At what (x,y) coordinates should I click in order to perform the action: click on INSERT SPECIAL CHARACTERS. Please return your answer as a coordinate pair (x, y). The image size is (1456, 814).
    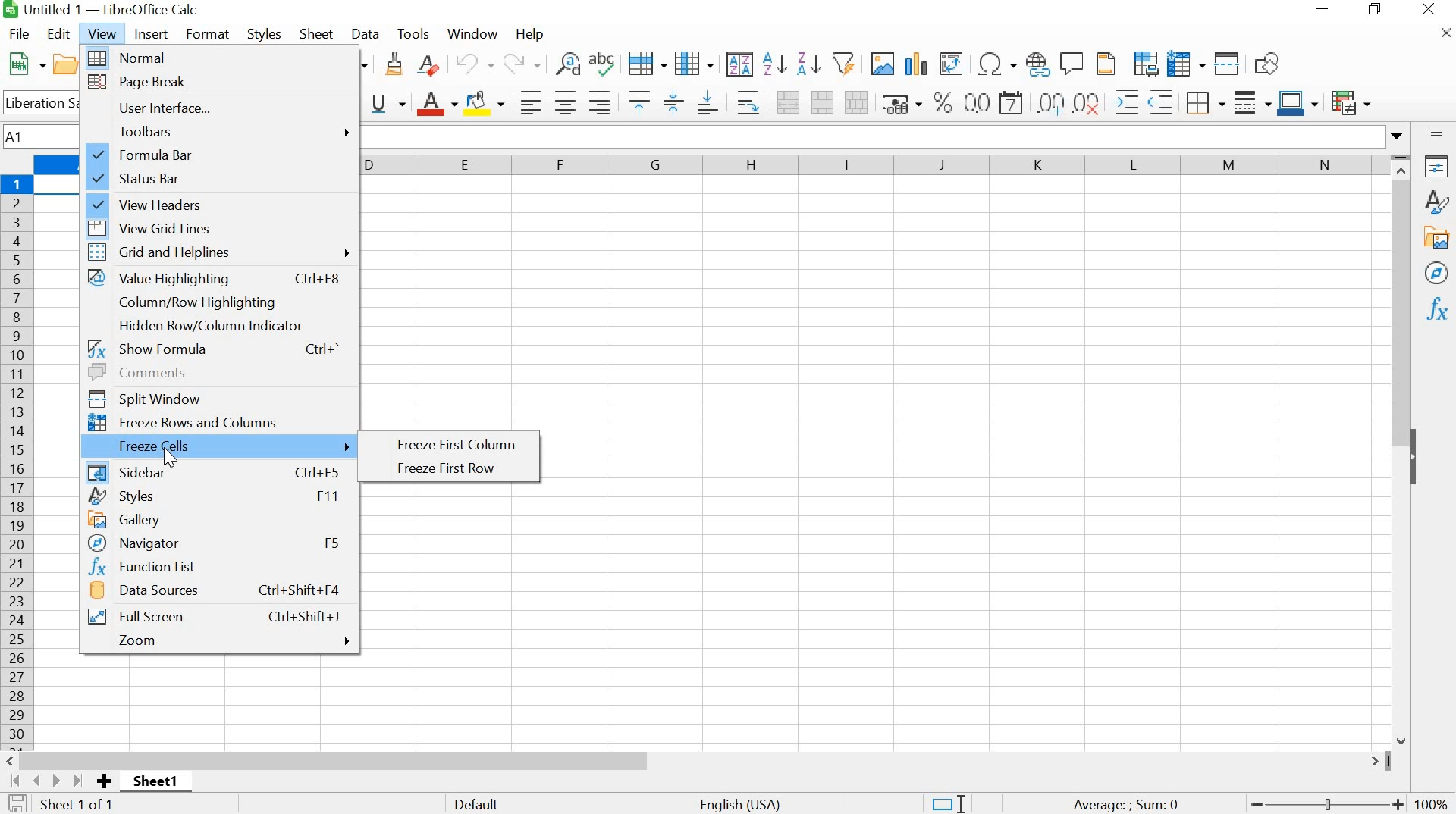
    Looking at the image, I should click on (996, 64).